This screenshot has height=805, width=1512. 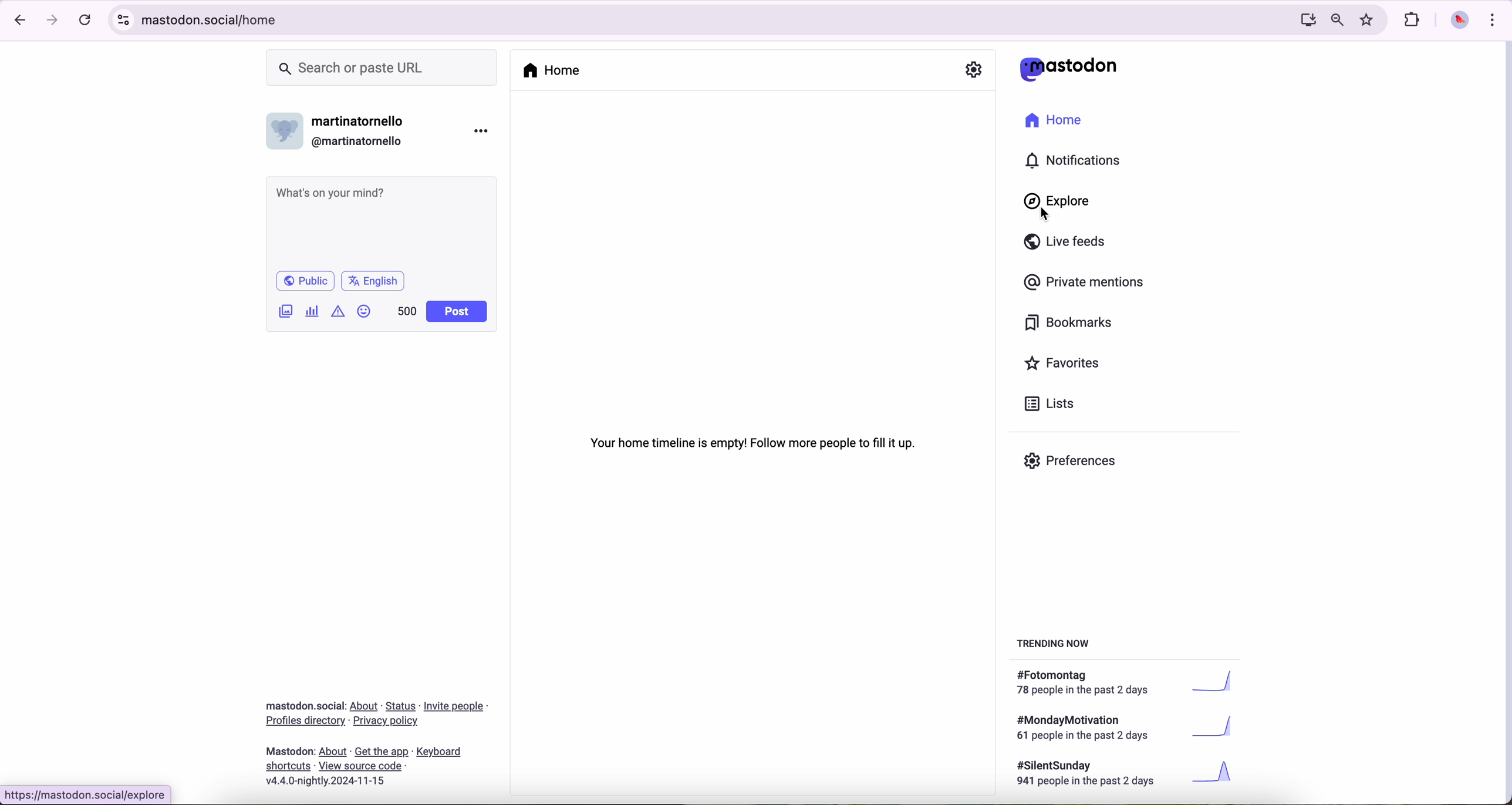 What do you see at coordinates (382, 68) in the screenshot?
I see `search or paste URL` at bounding box center [382, 68].